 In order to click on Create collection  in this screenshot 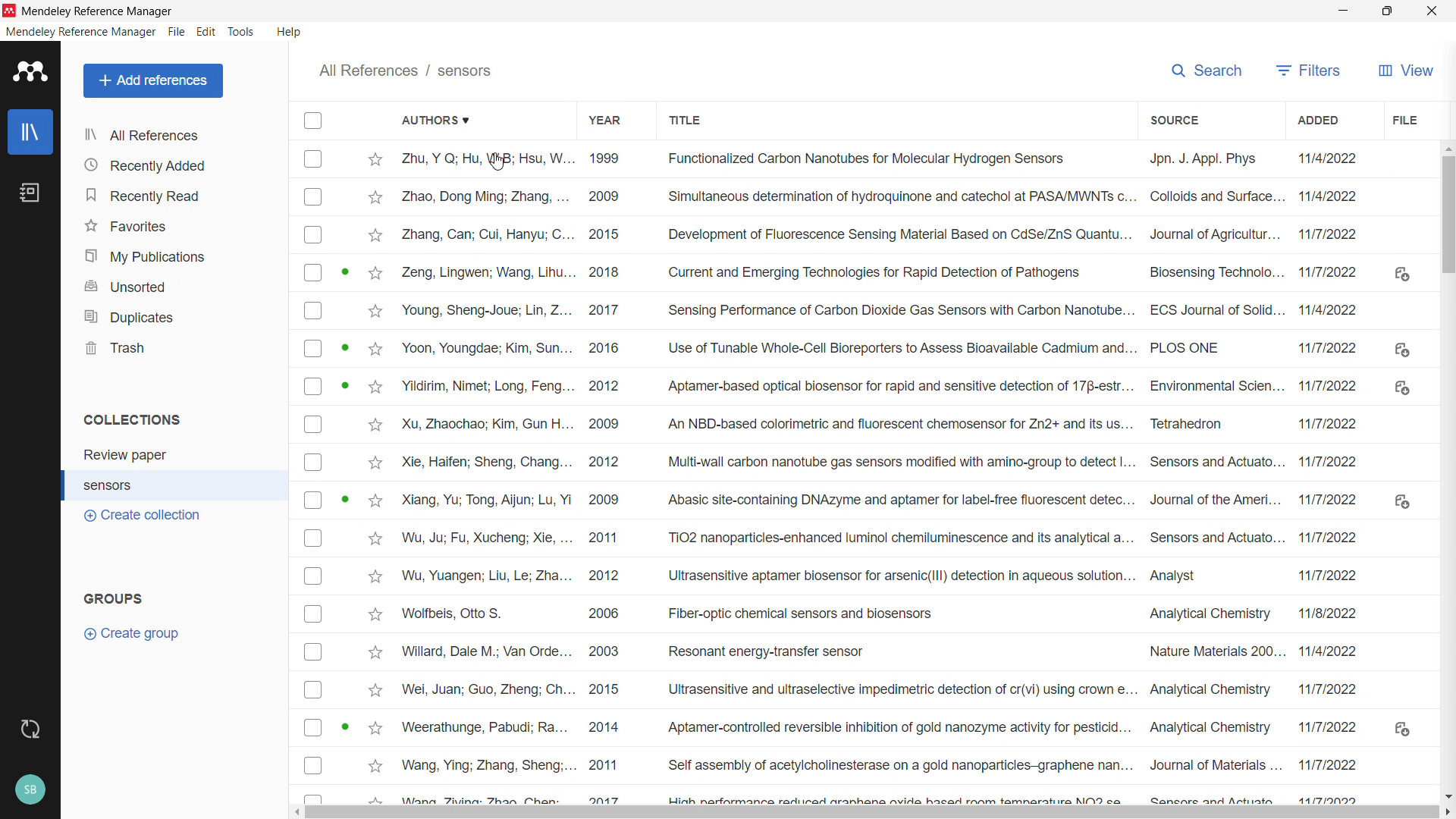, I will do `click(143, 516)`.